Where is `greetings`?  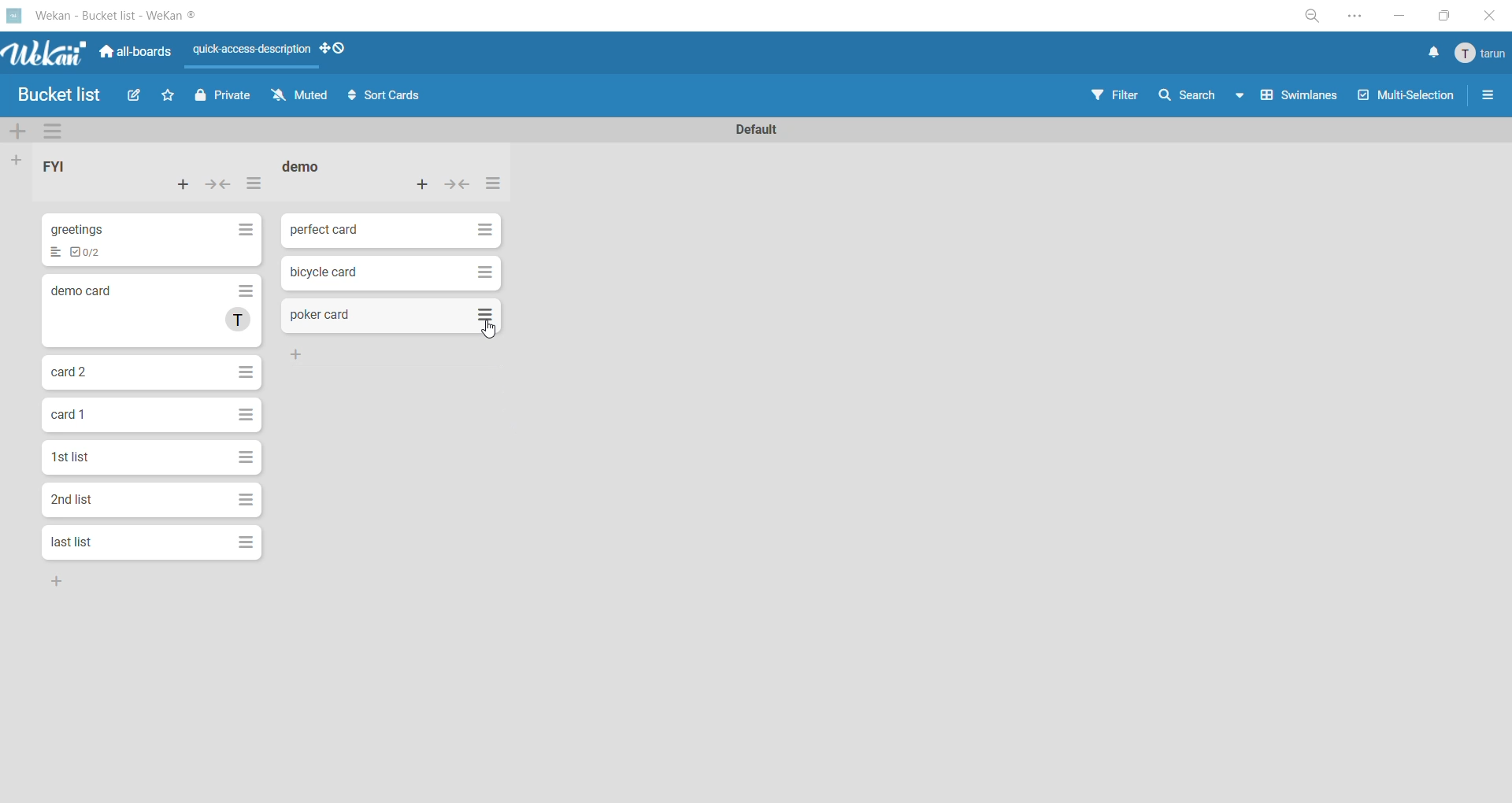 greetings is located at coordinates (89, 228).